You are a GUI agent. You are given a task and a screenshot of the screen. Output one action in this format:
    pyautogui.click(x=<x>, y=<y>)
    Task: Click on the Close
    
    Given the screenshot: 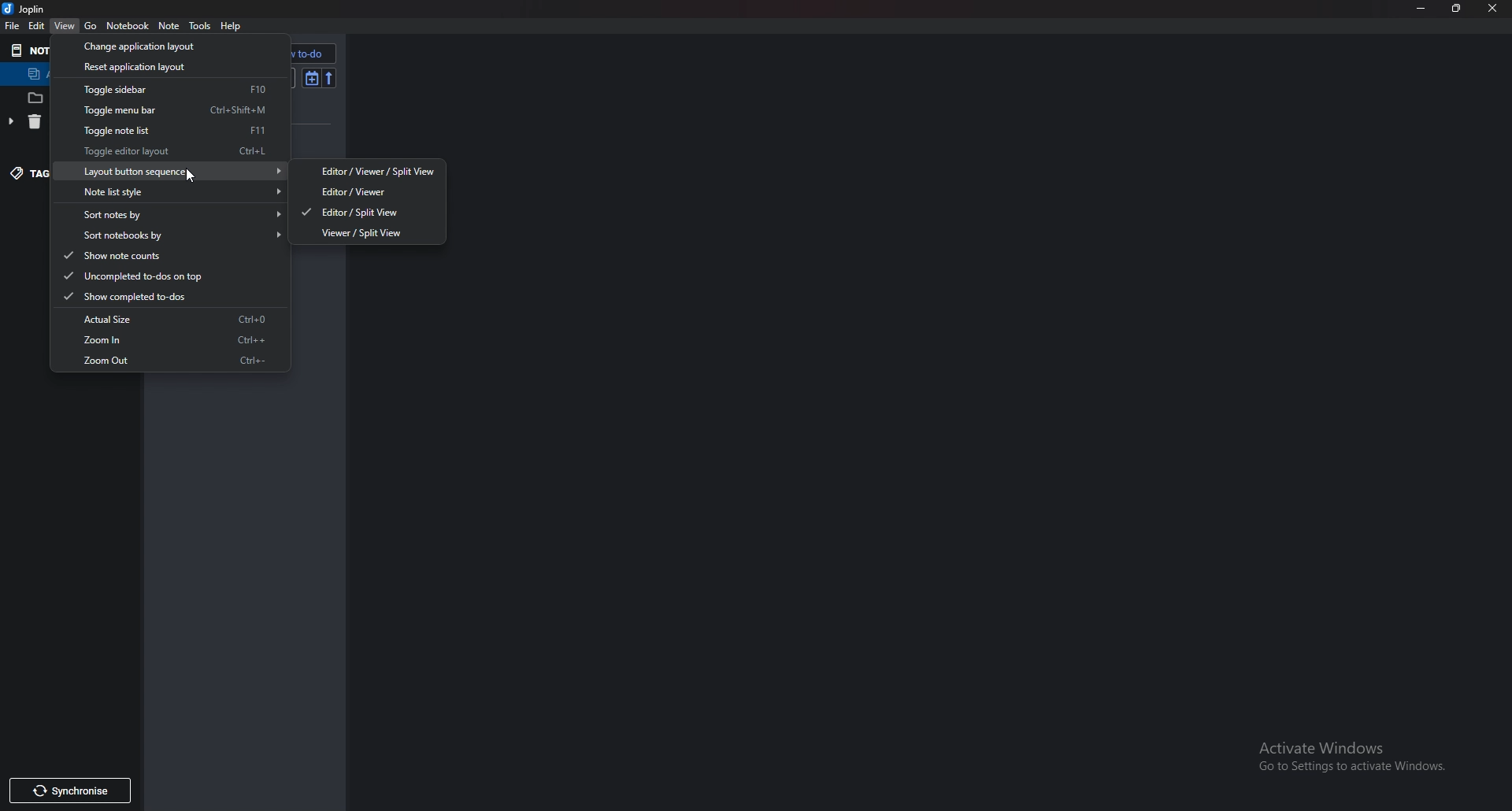 What is the action you would take?
    pyautogui.click(x=1488, y=9)
    